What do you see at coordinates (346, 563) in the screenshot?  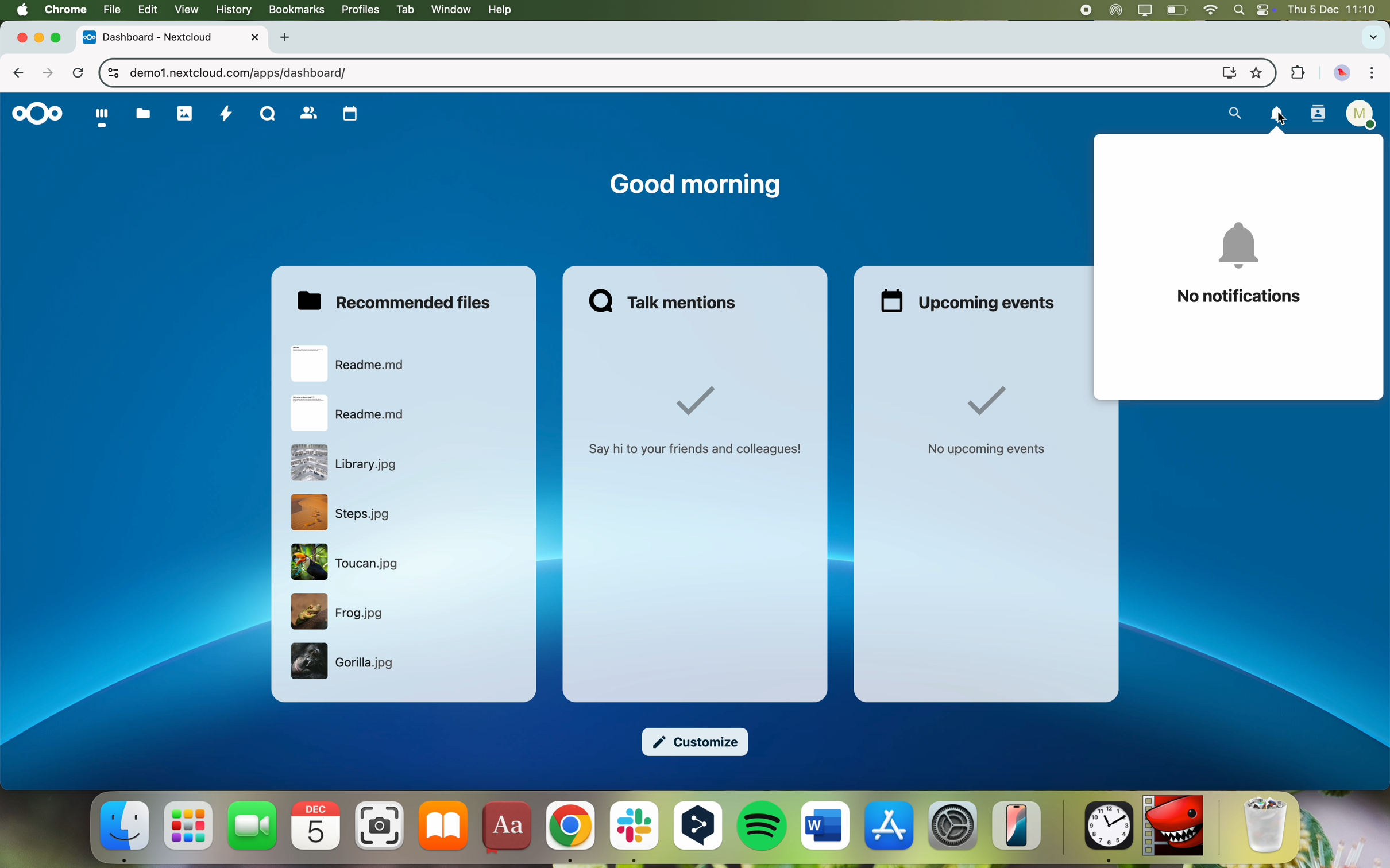 I see `file` at bounding box center [346, 563].